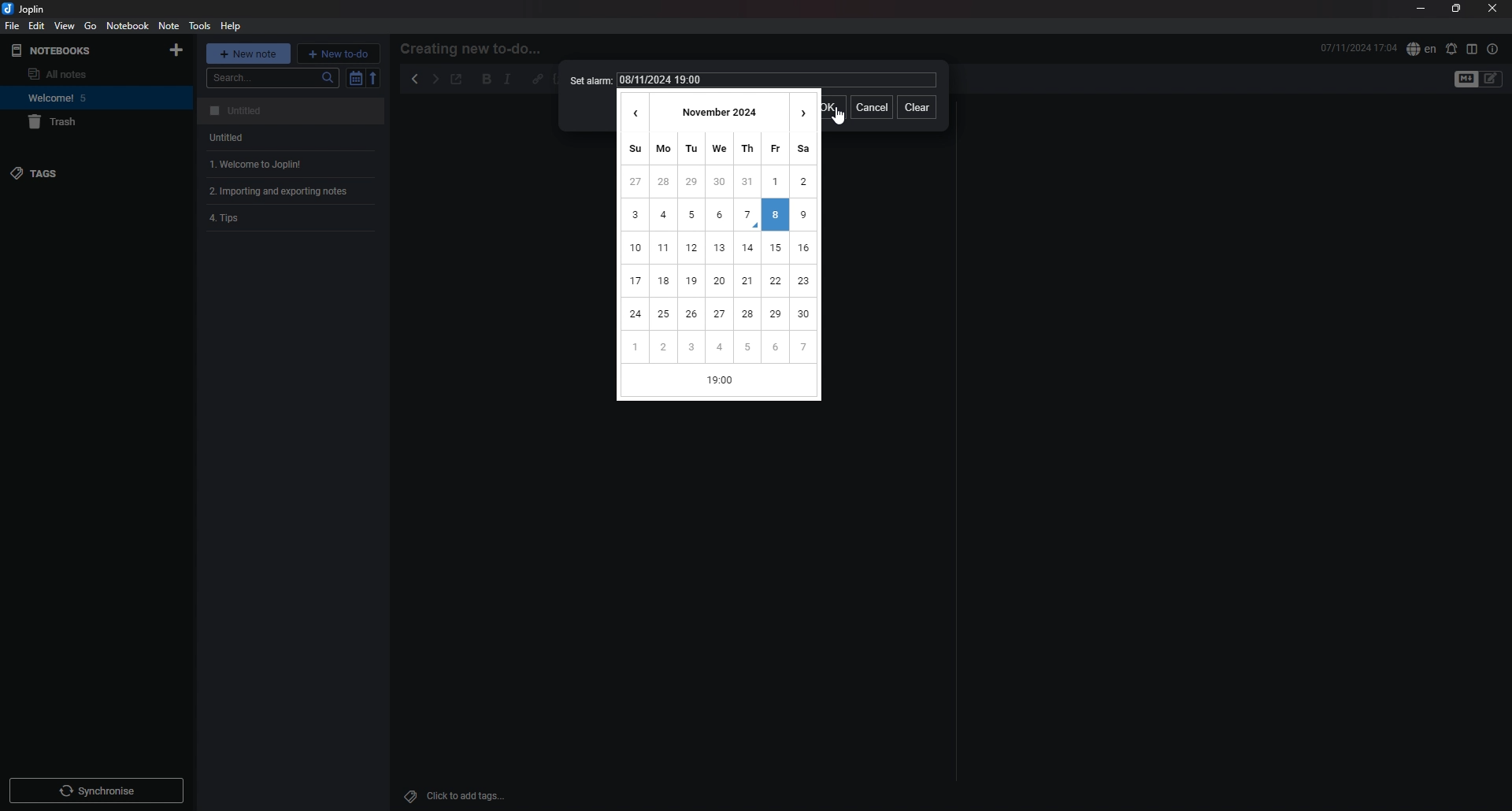 The image size is (1512, 811). Describe the element at coordinates (292, 137) in the screenshot. I see `note` at that location.